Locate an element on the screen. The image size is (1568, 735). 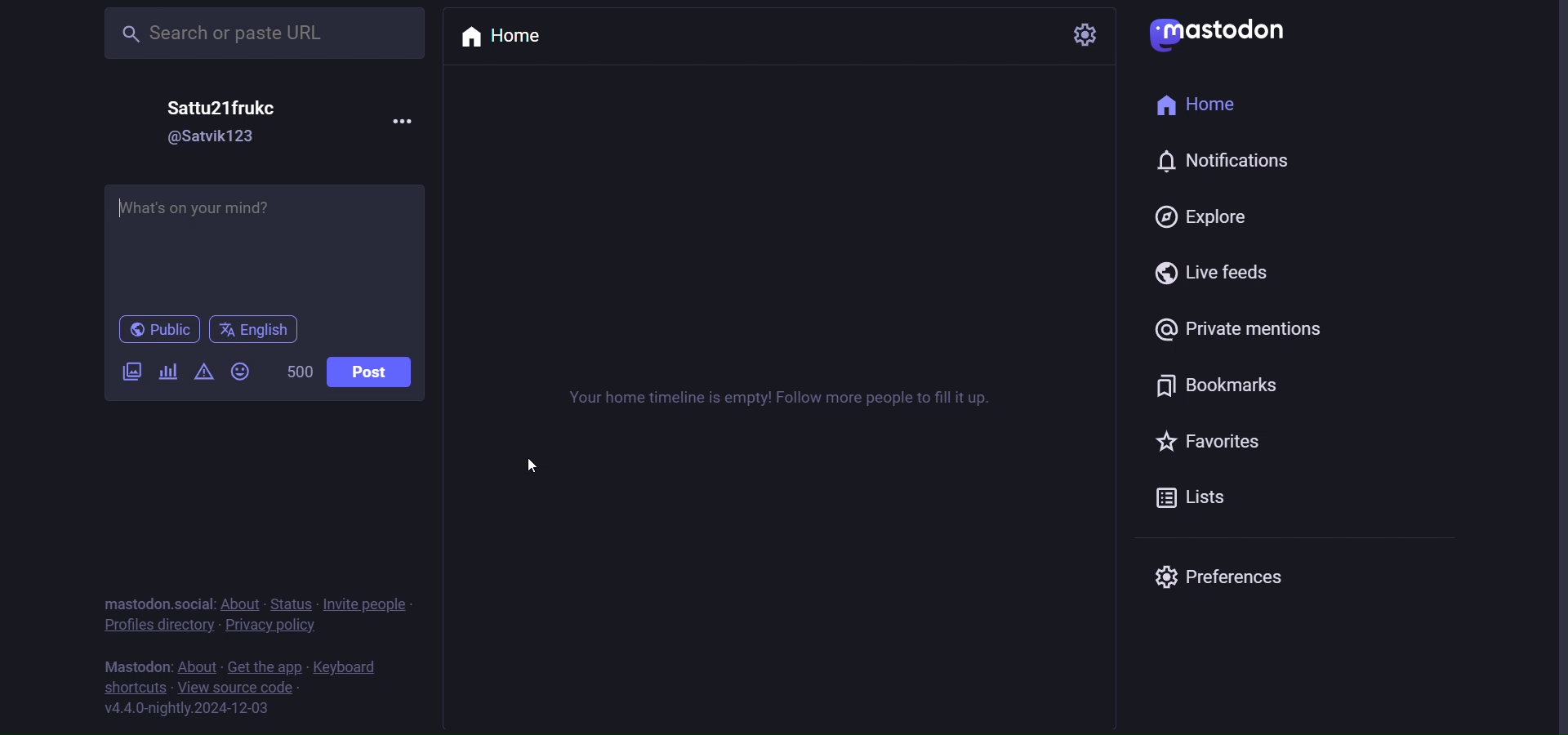
keyboard is located at coordinates (344, 666).